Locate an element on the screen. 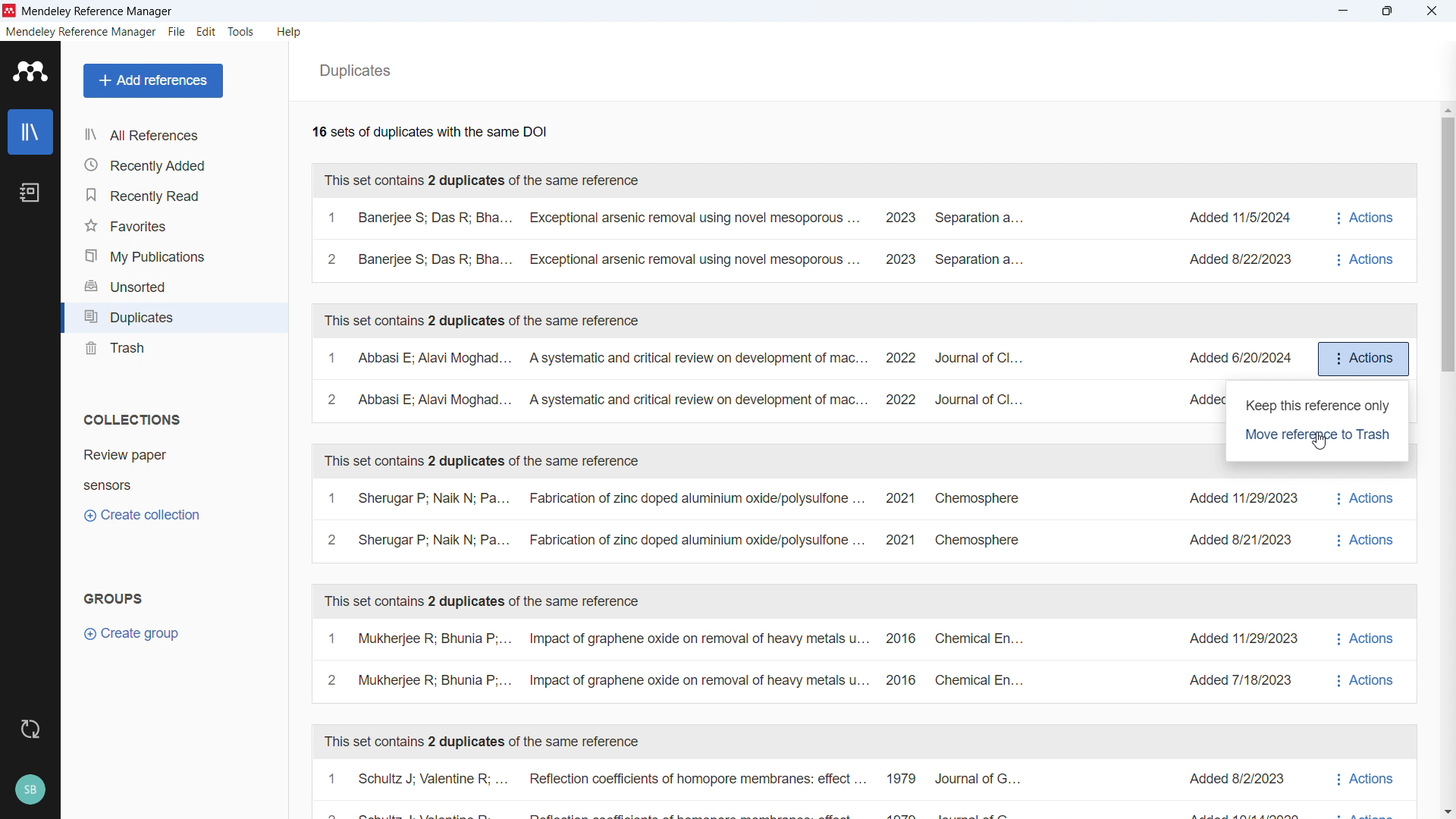  all references is located at coordinates (172, 135).